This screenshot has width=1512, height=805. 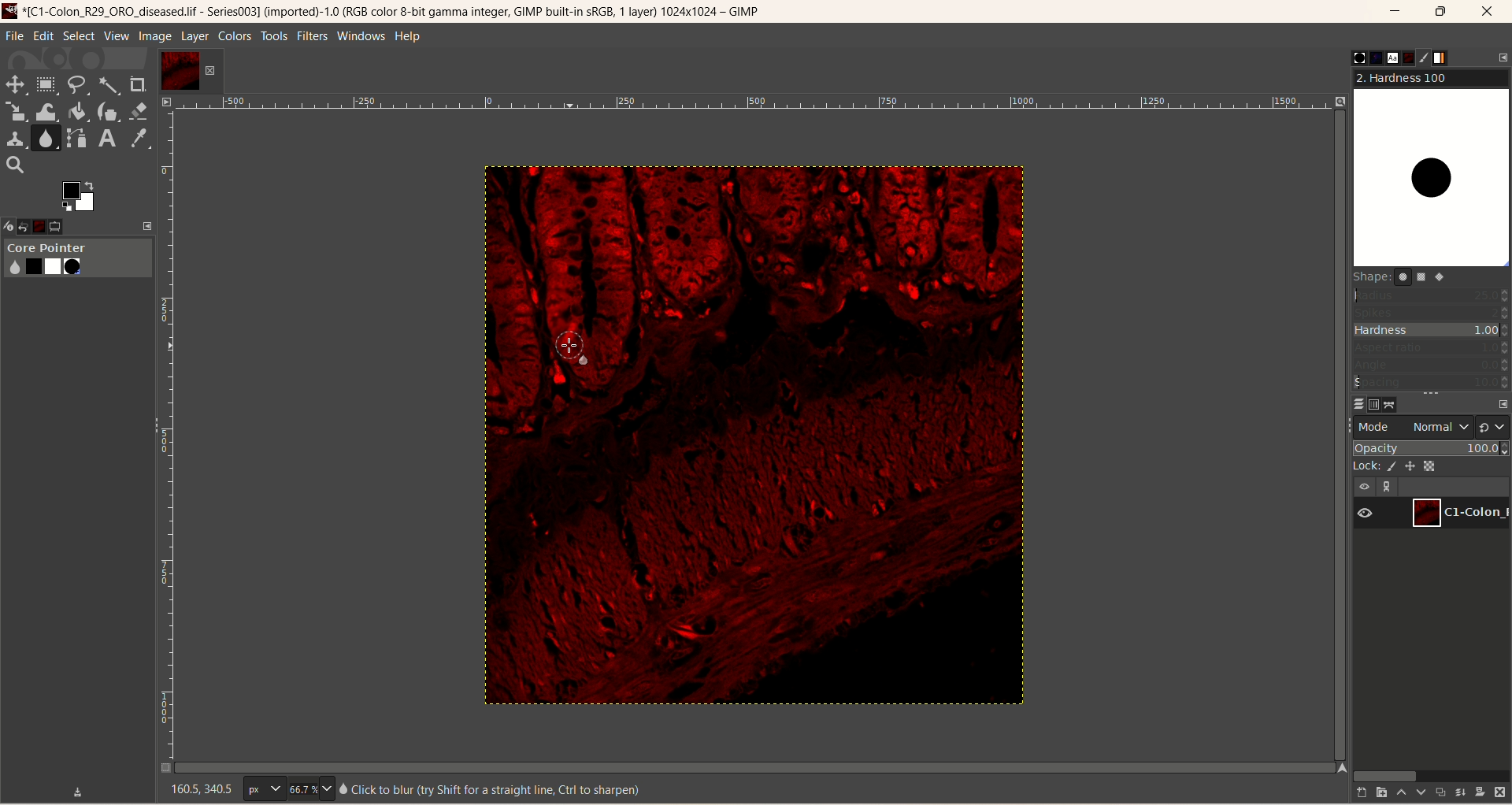 What do you see at coordinates (139, 139) in the screenshot?
I see `color picker tool` at bounding box center [139, 139].